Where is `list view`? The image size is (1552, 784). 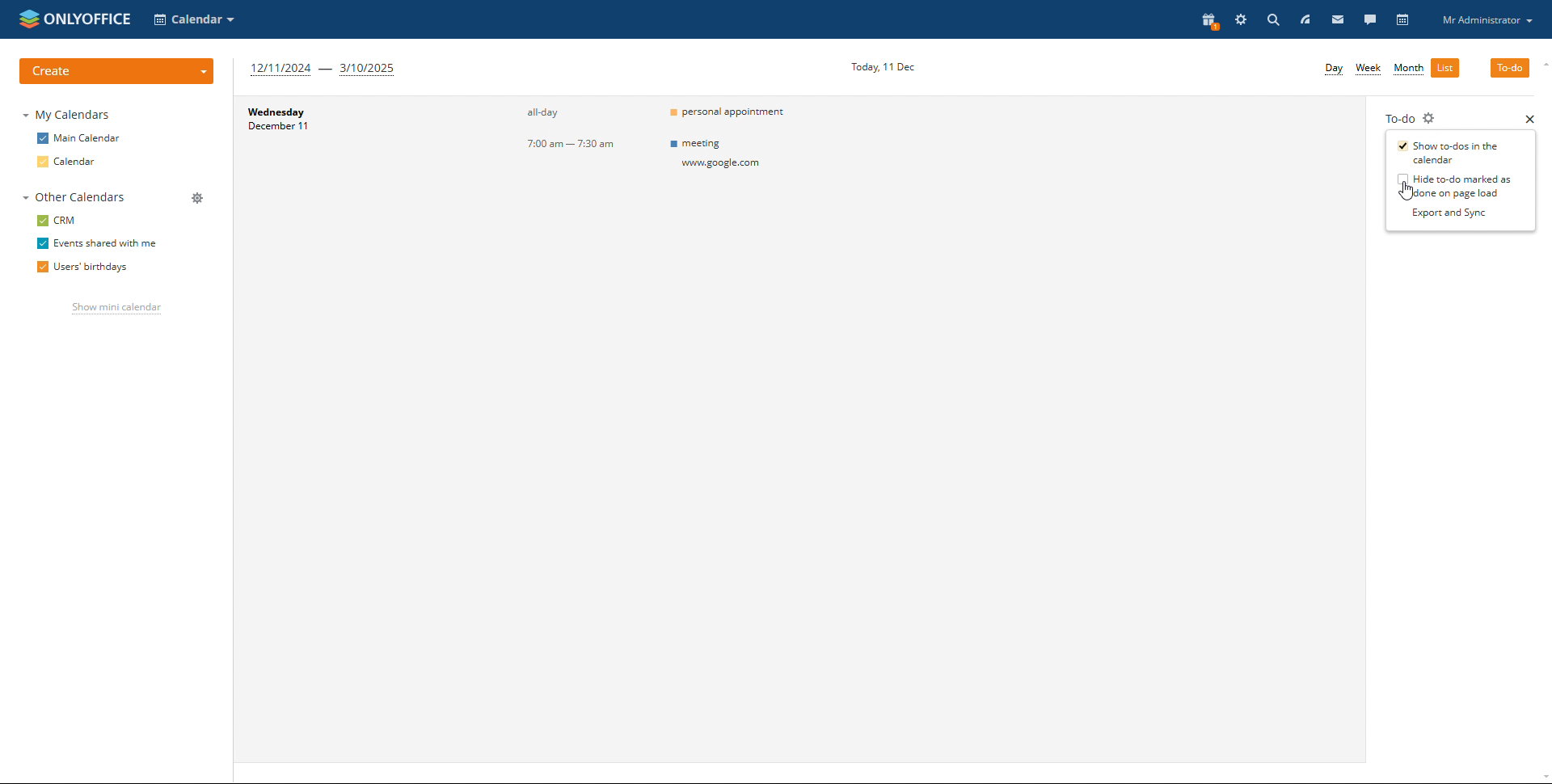
list view is located at coordinates (1445, 68).